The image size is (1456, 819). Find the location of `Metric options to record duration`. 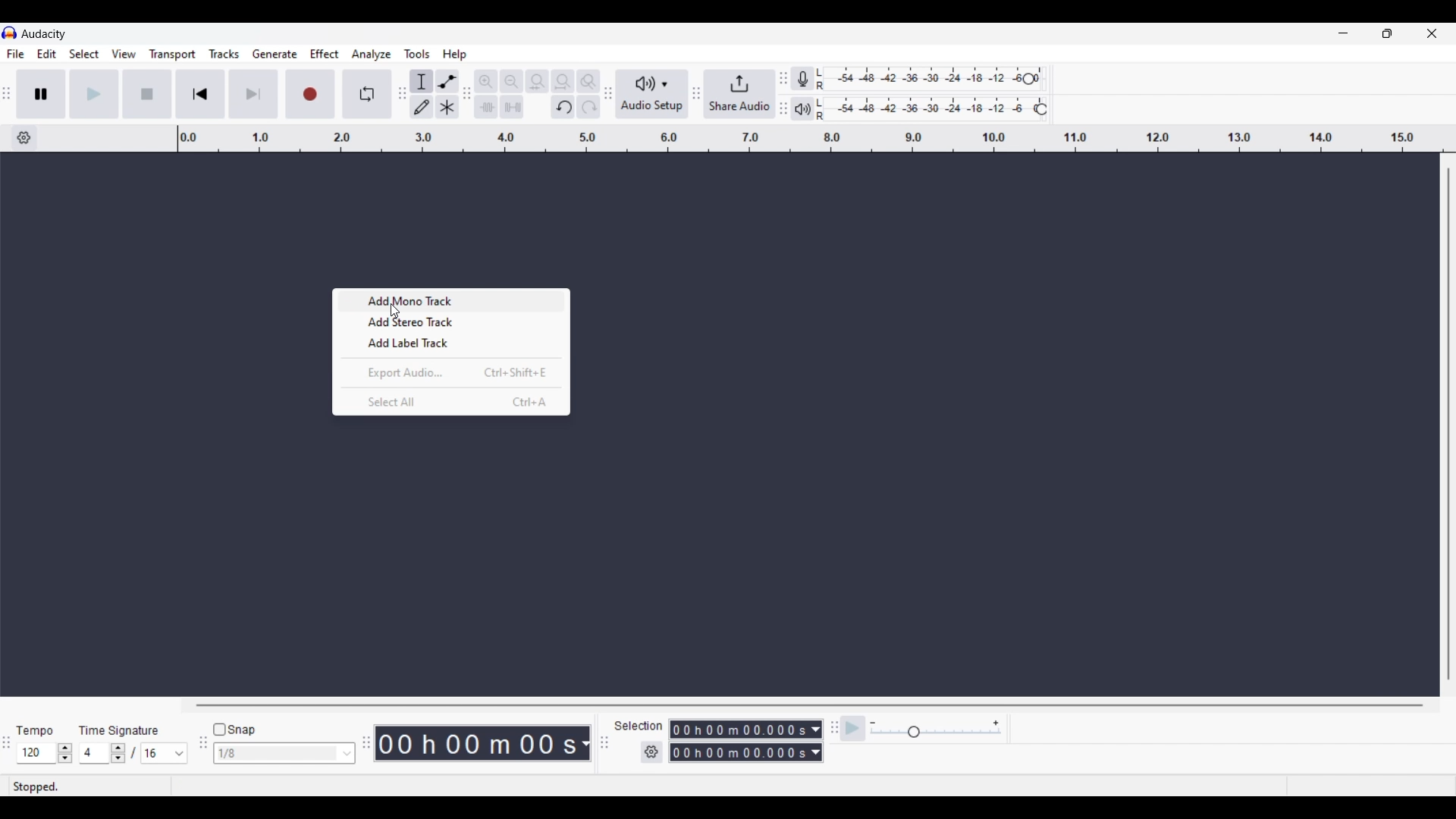

Metric options to record duration is located at coordinates (814, 742).